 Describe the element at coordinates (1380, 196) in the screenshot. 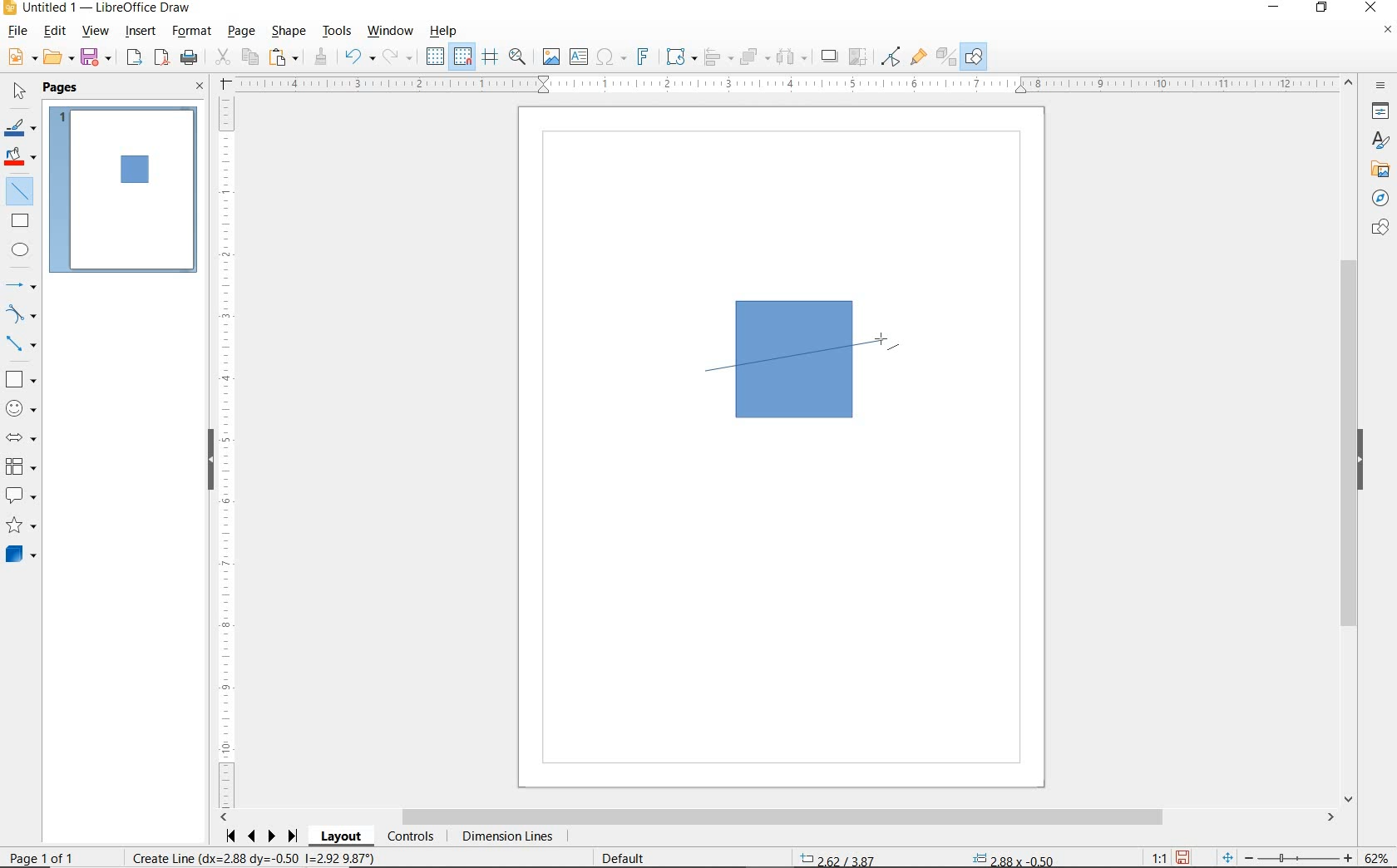

I see `NAVIGATOR` at that location.